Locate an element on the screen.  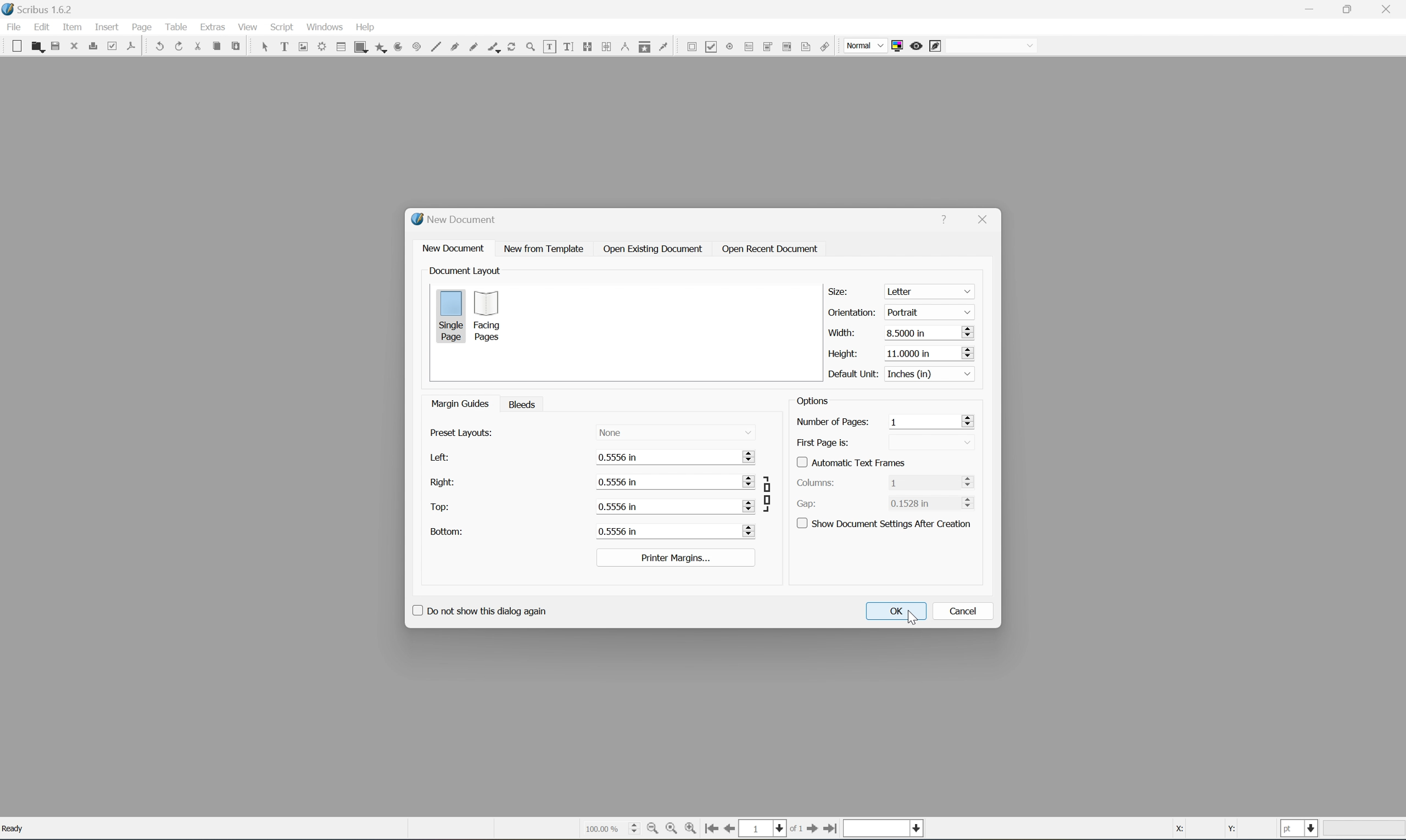
link text frames is located at coordinates (588, 48).